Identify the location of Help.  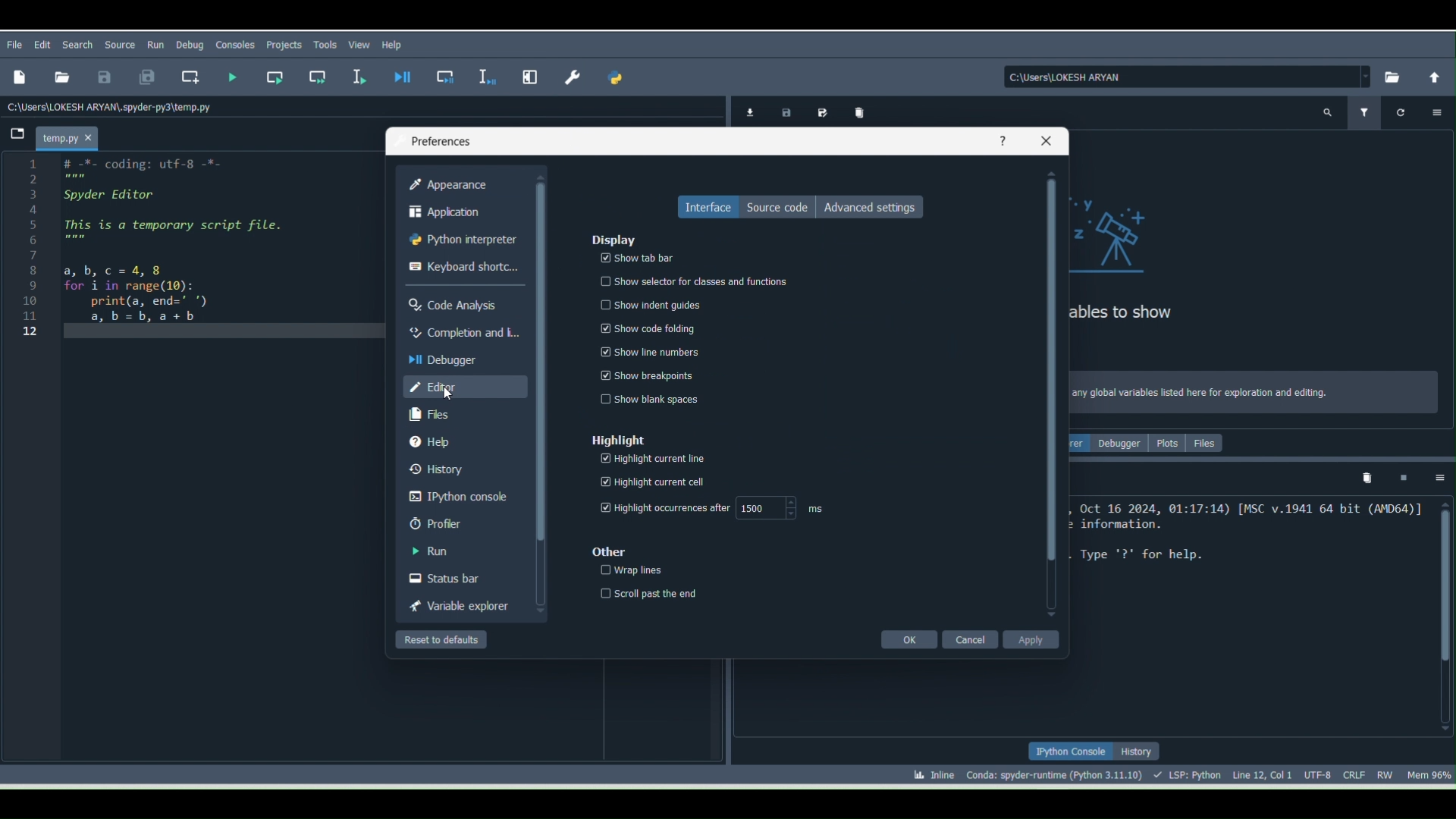
(396, 44).